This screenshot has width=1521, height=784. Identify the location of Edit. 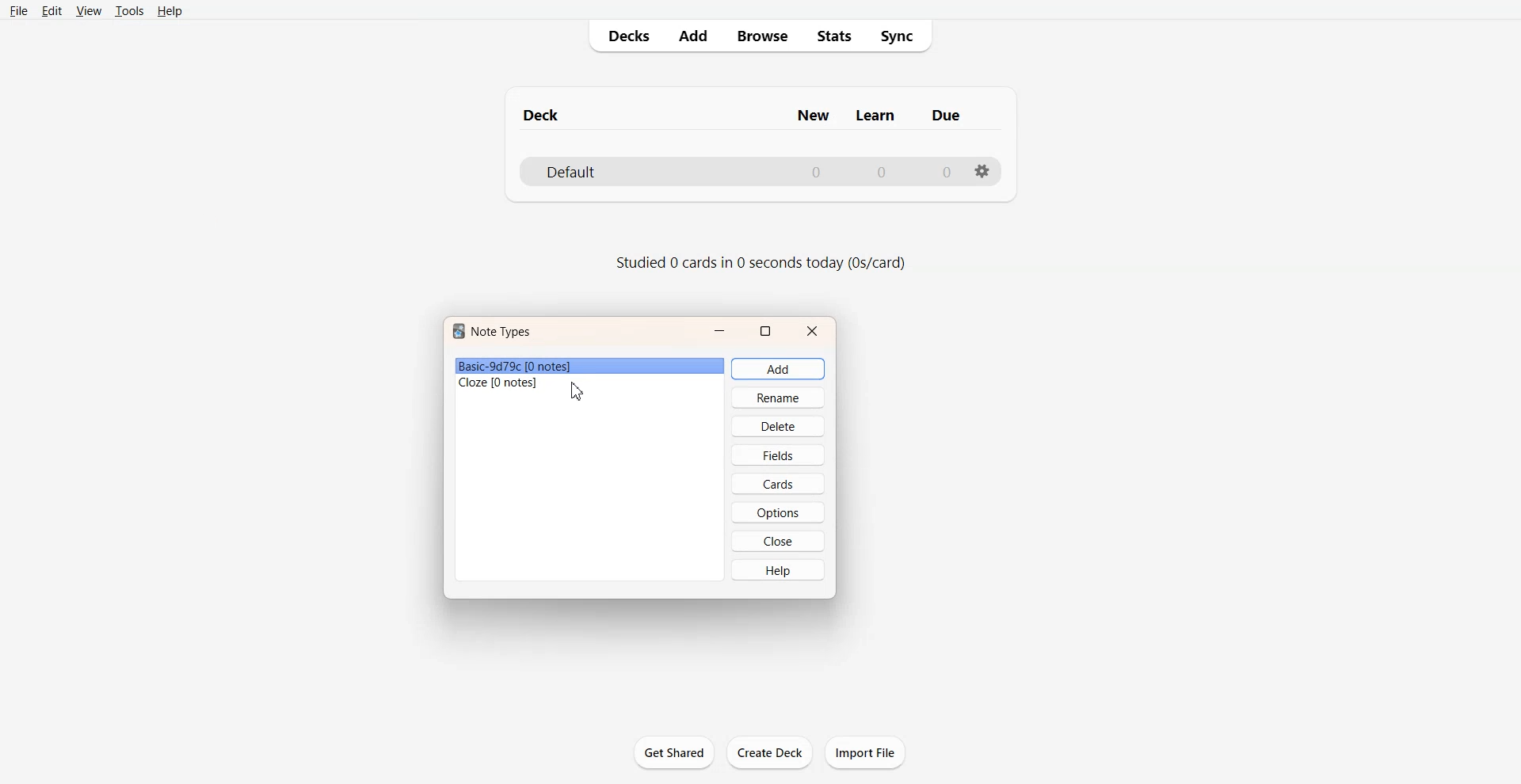
(51, 10).